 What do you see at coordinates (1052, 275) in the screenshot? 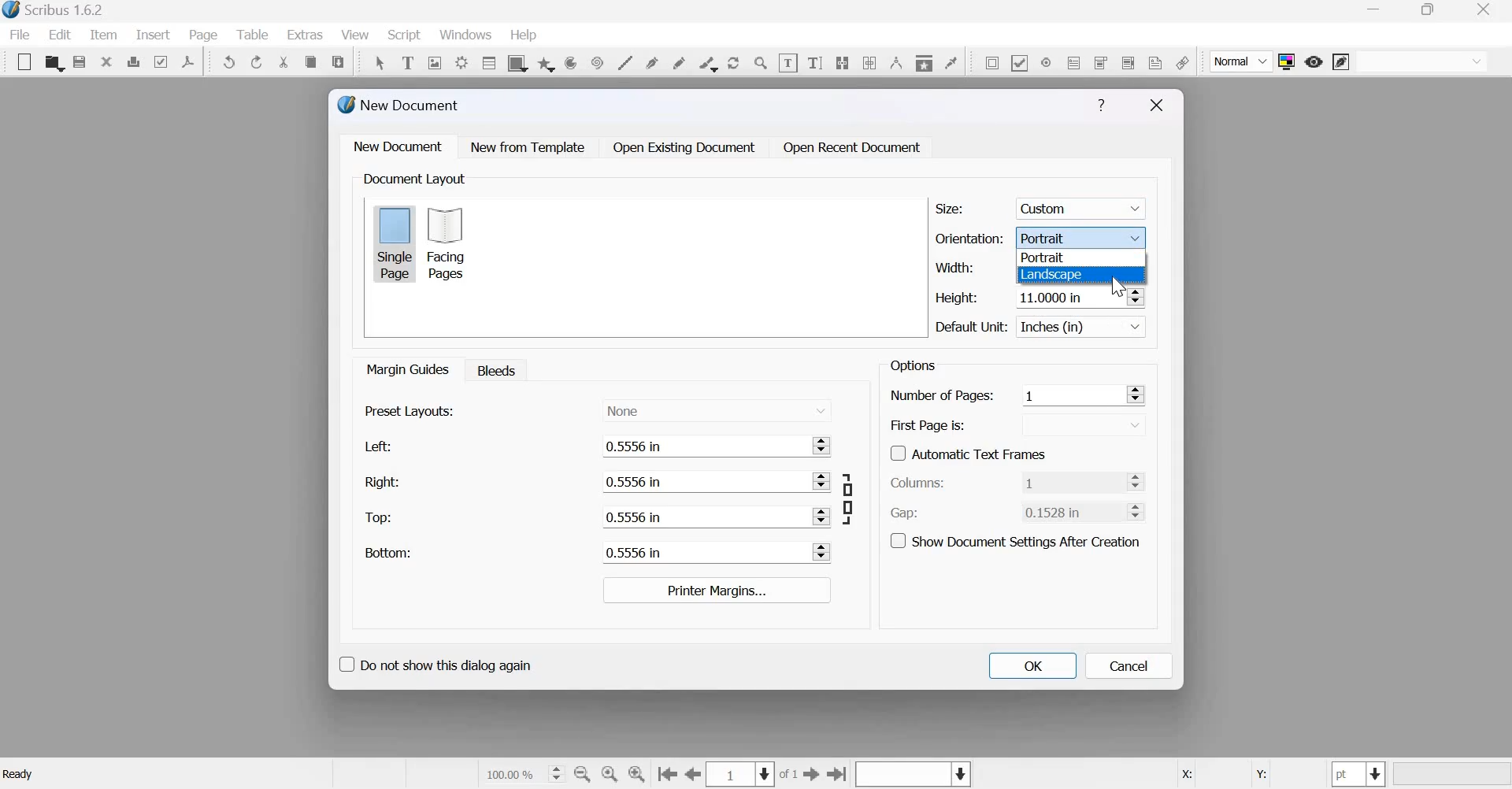
I see `Landscape` at bounding box center [1052, 275].